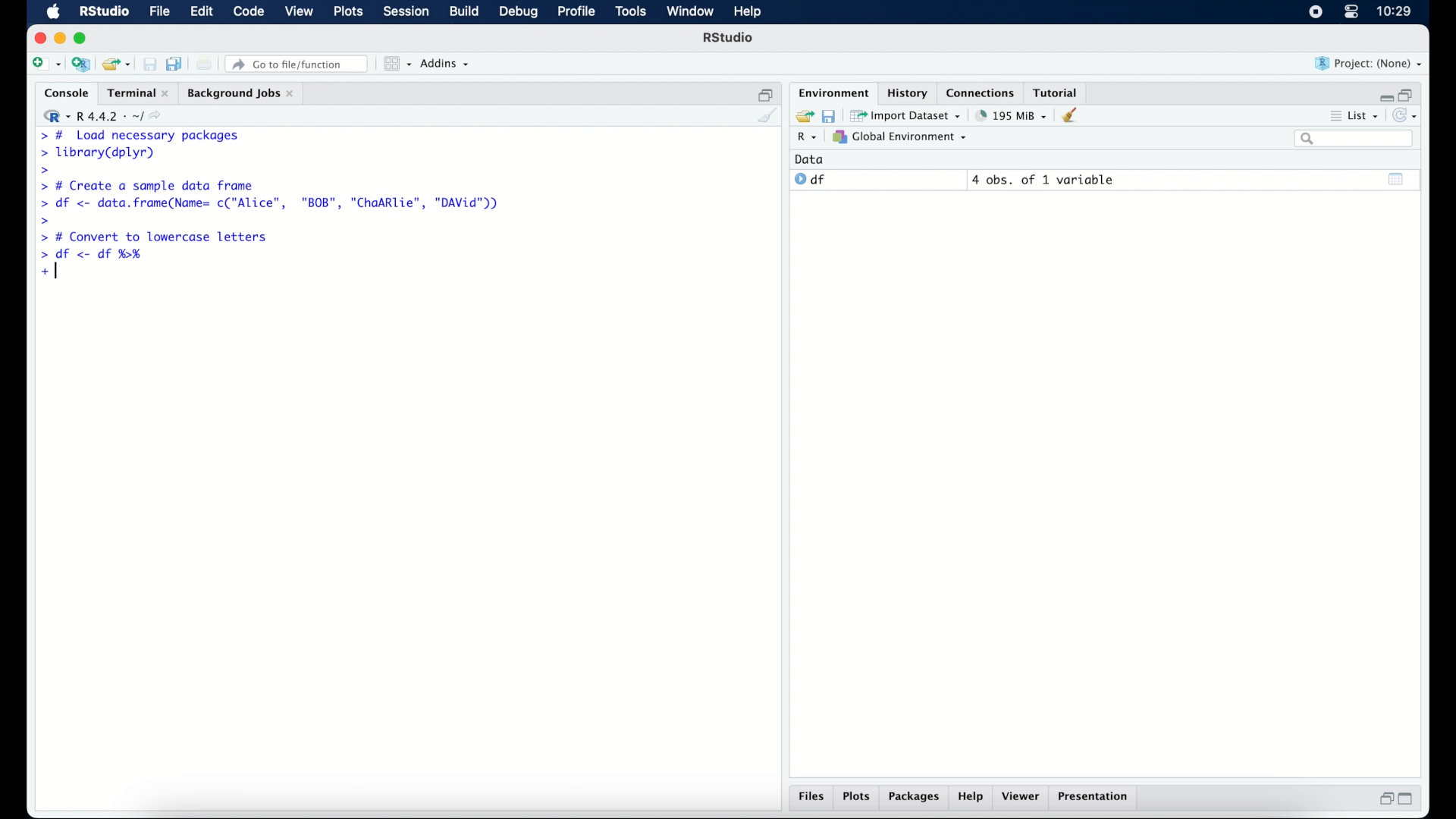 This screenshot has width=1456, height=819. Describe the element at coordinates (150, 185) in the screenshot. I see `> # Create a sample data frame]` at that location.